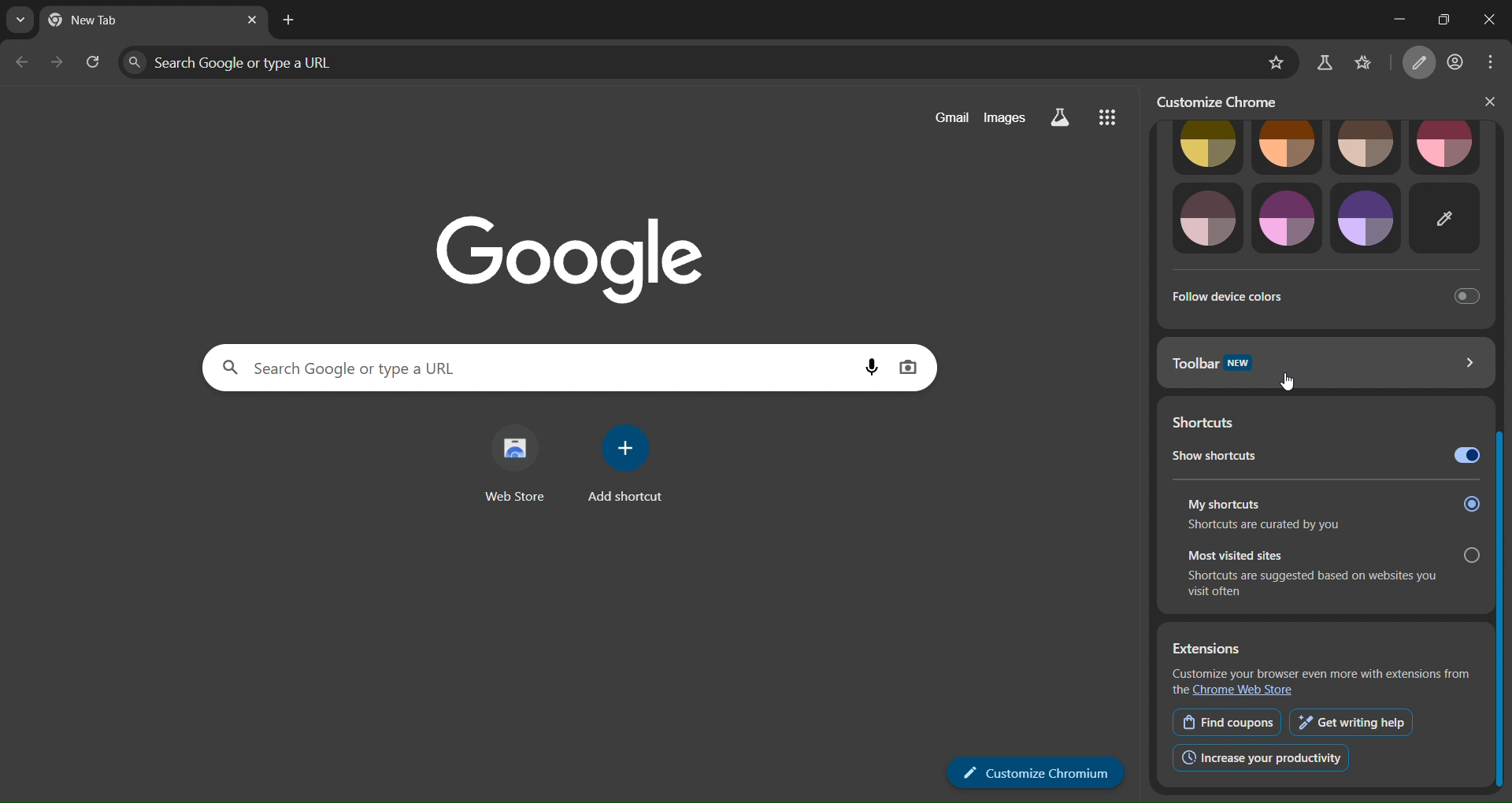 The width and height of the screenshot is (1512, 803). What do you see at coordinates (1068, 118) in the screenshot?
I see `search labs` at bounding box center [1068, 118].